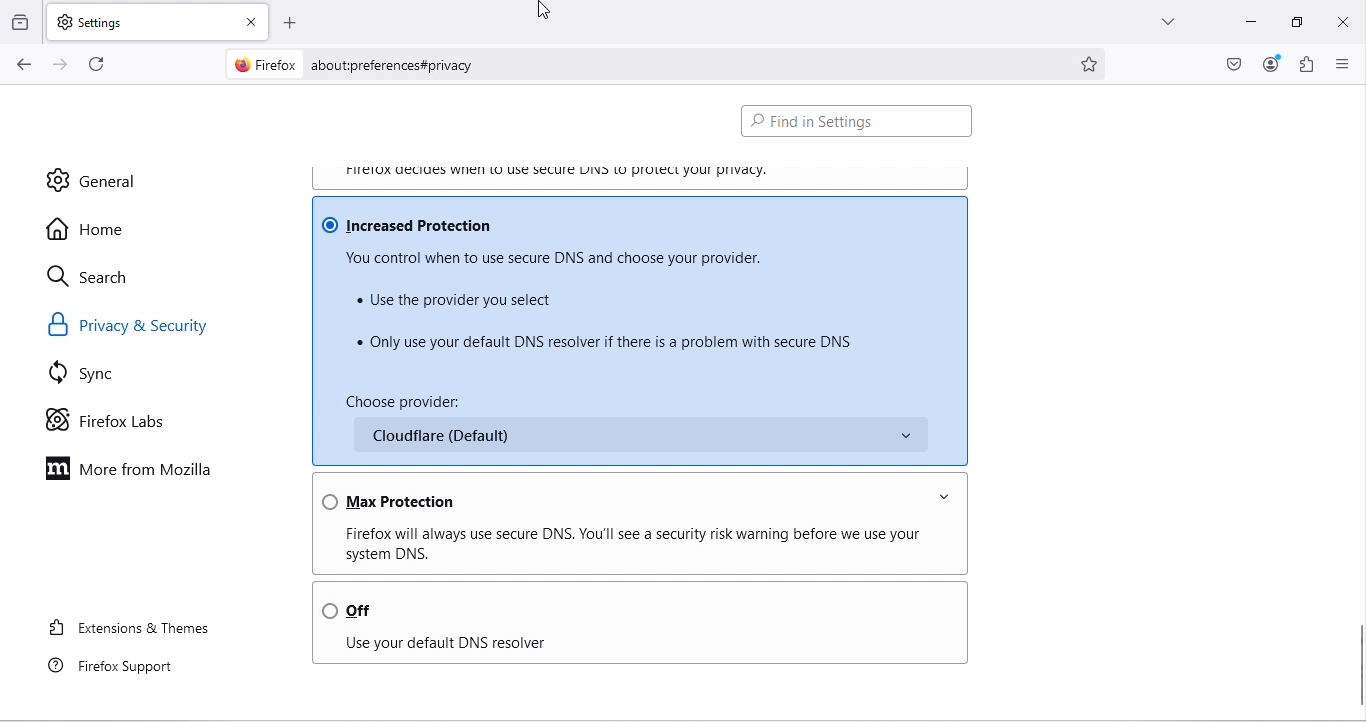 This screenshot has height=722, width=1366. I want to click on « Only use your default DNS resolver if there is a problem with secure DNS, so click(606, 342).